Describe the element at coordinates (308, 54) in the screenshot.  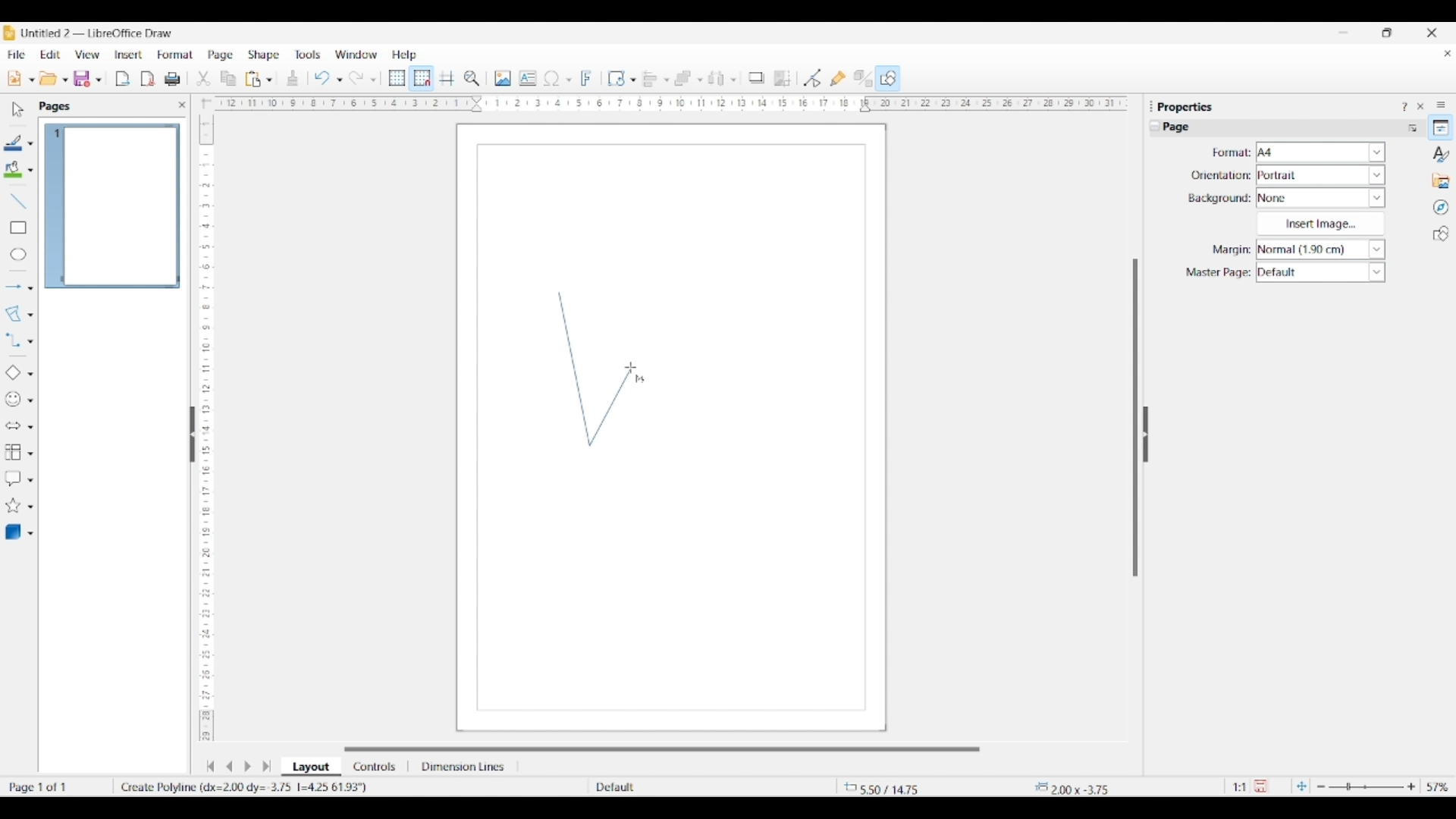
I see `Tools` at that location.